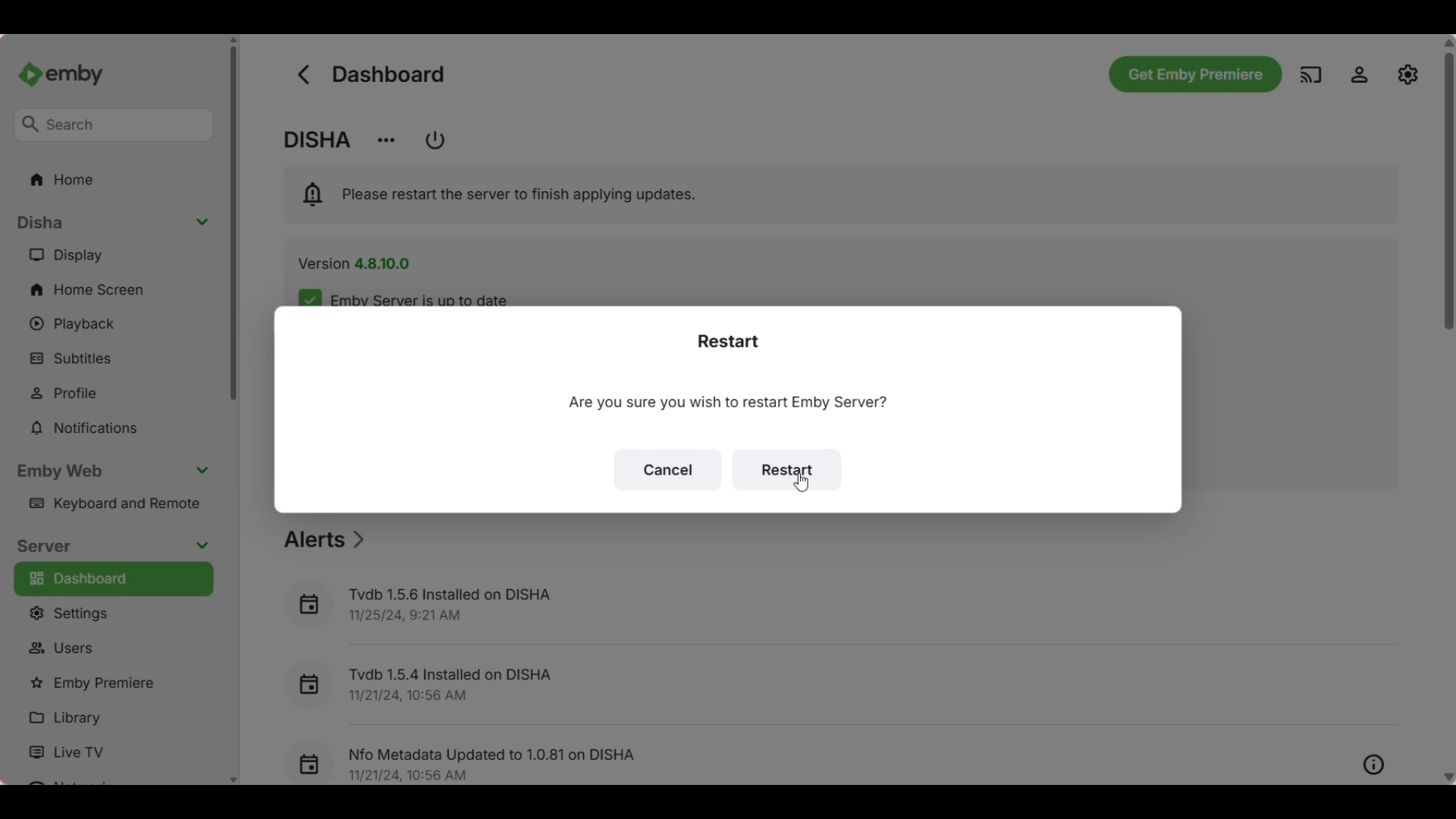 The width and height of the screenshot is (1456, 819). Describe the element at coordinates (1448, 184) in the screenshot. I see `Vertical slide bar` at that location.